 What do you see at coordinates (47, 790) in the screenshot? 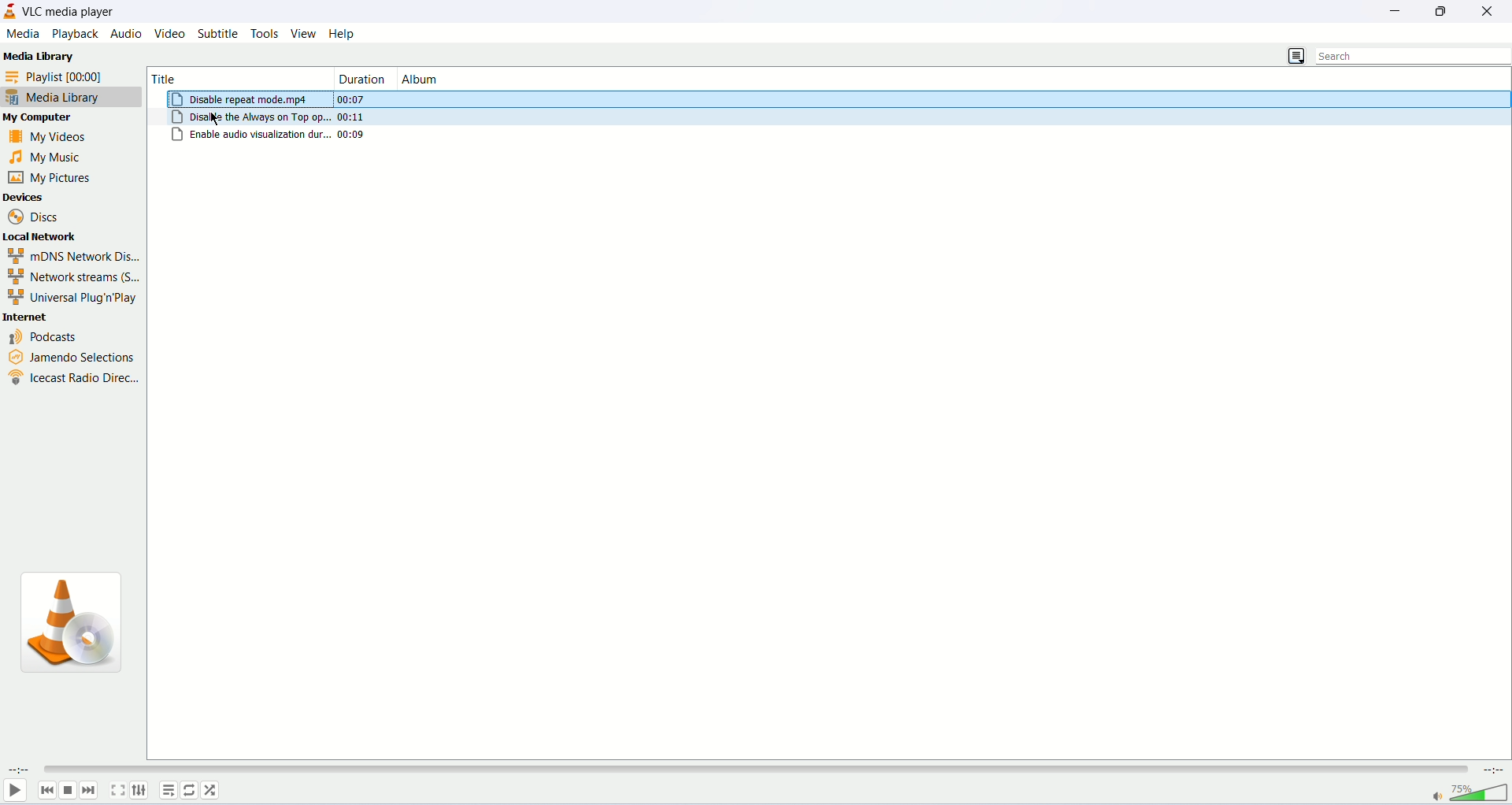
I see `previous` at bounding box center [47, 790].